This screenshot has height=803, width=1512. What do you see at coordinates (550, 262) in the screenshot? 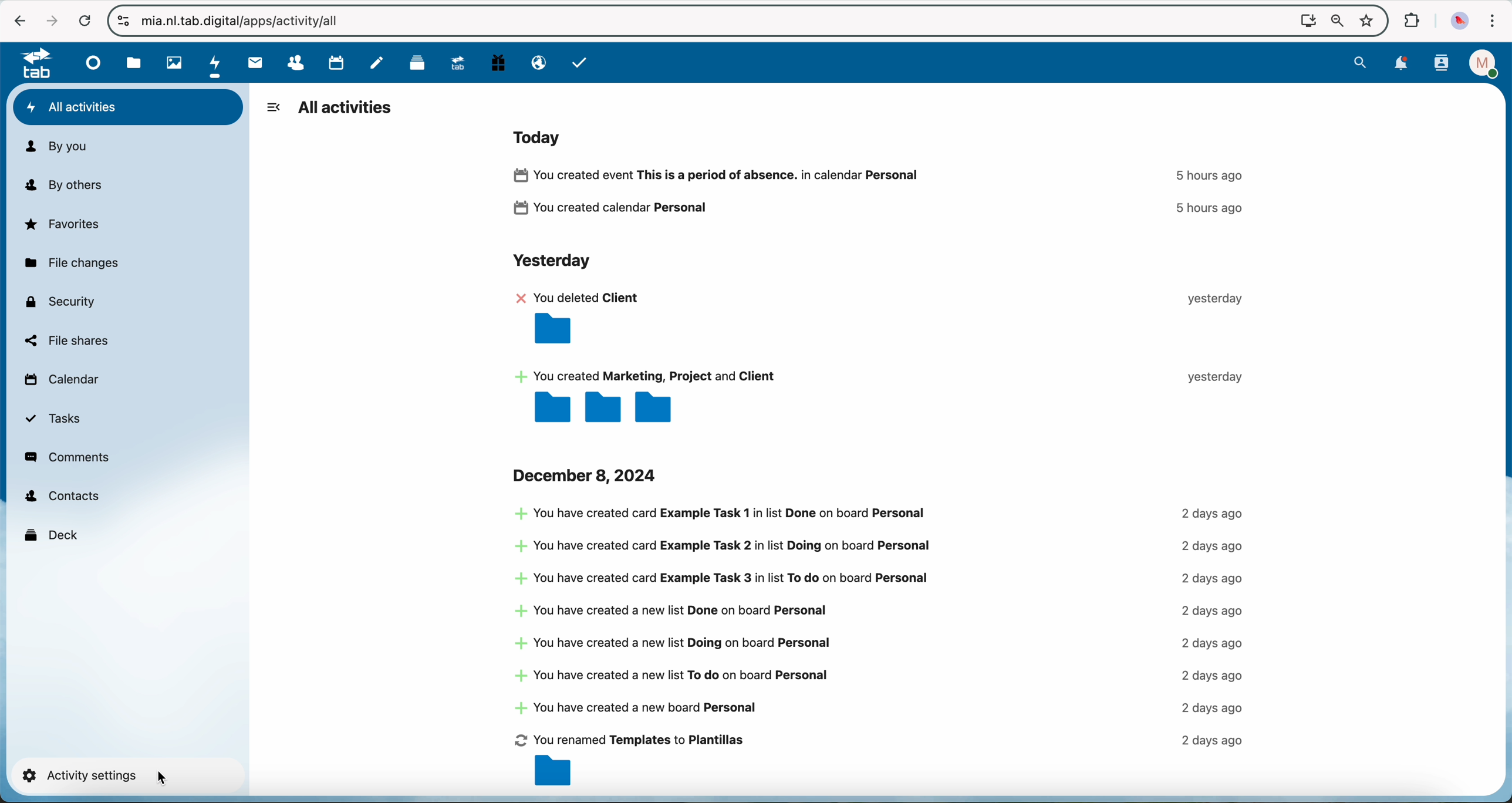
I see `yesterday` at bounding box center [550, 262].